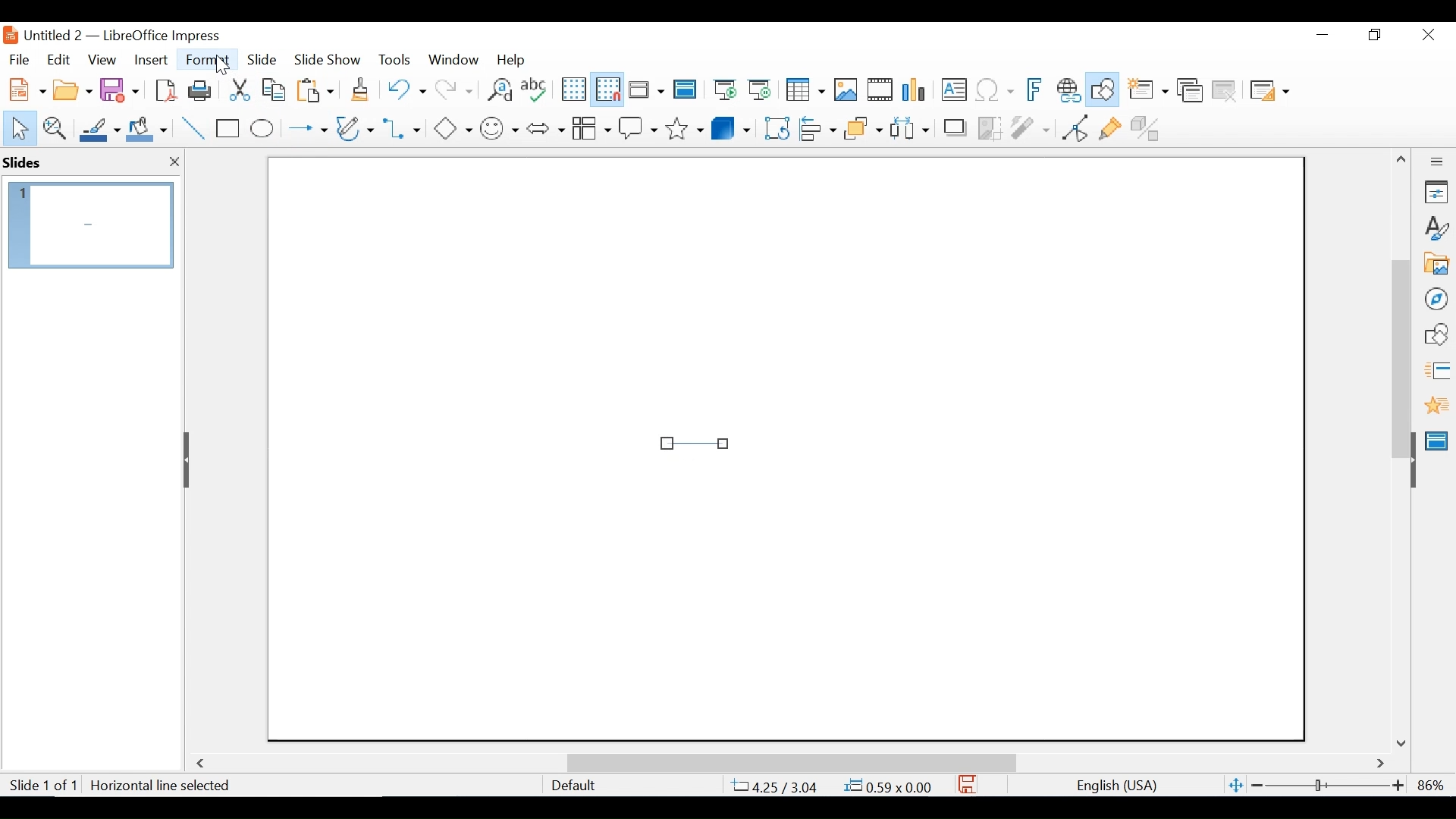 The height and width of the screenshot is (819, 1456). What do you see at coordinates (723, 91) in the screenshot?
I see `Start from First Slide` at bounding box center [723, 91].